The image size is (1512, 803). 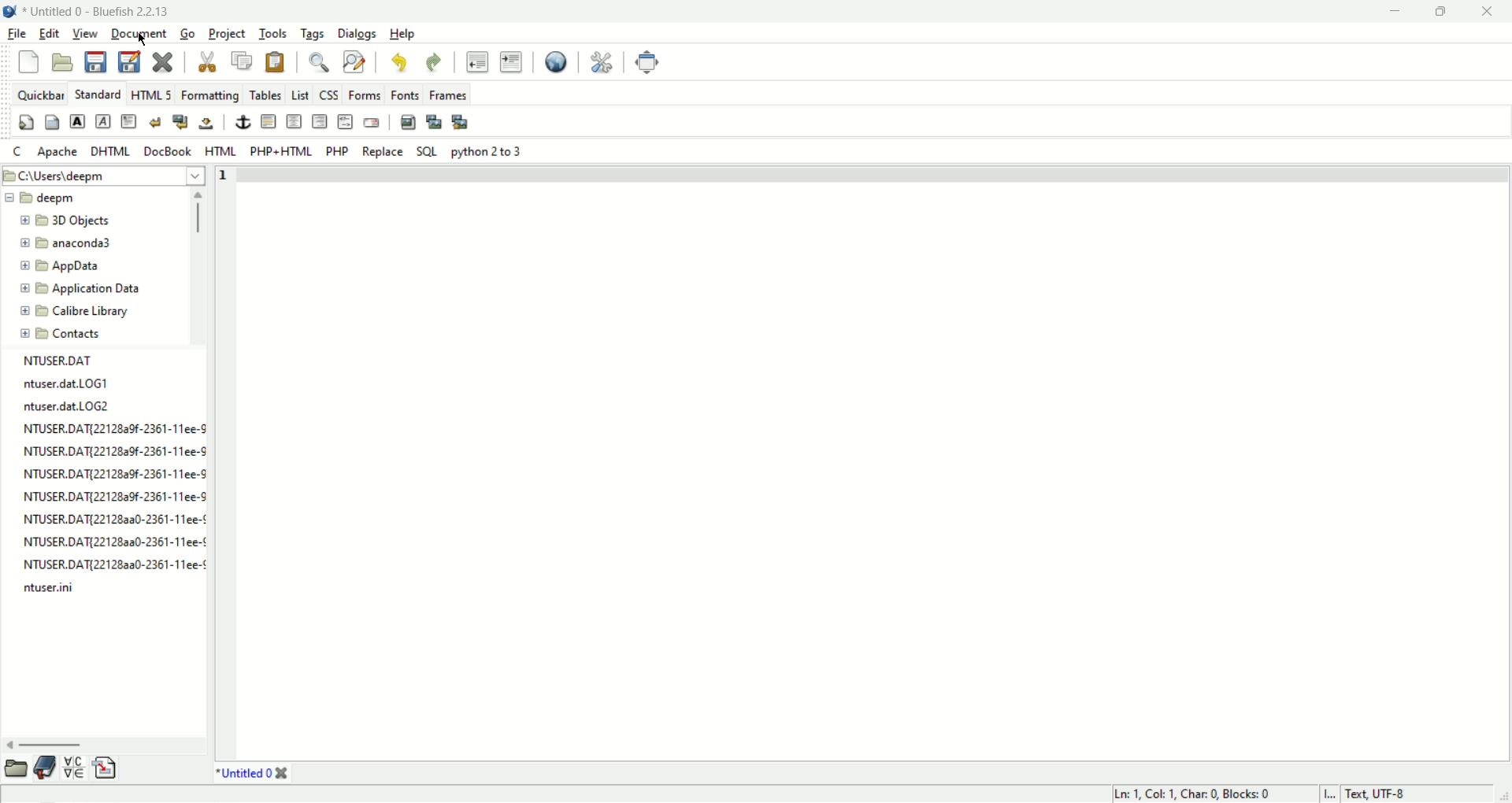 I want to click on find and replace, so click(x=354, y=62).